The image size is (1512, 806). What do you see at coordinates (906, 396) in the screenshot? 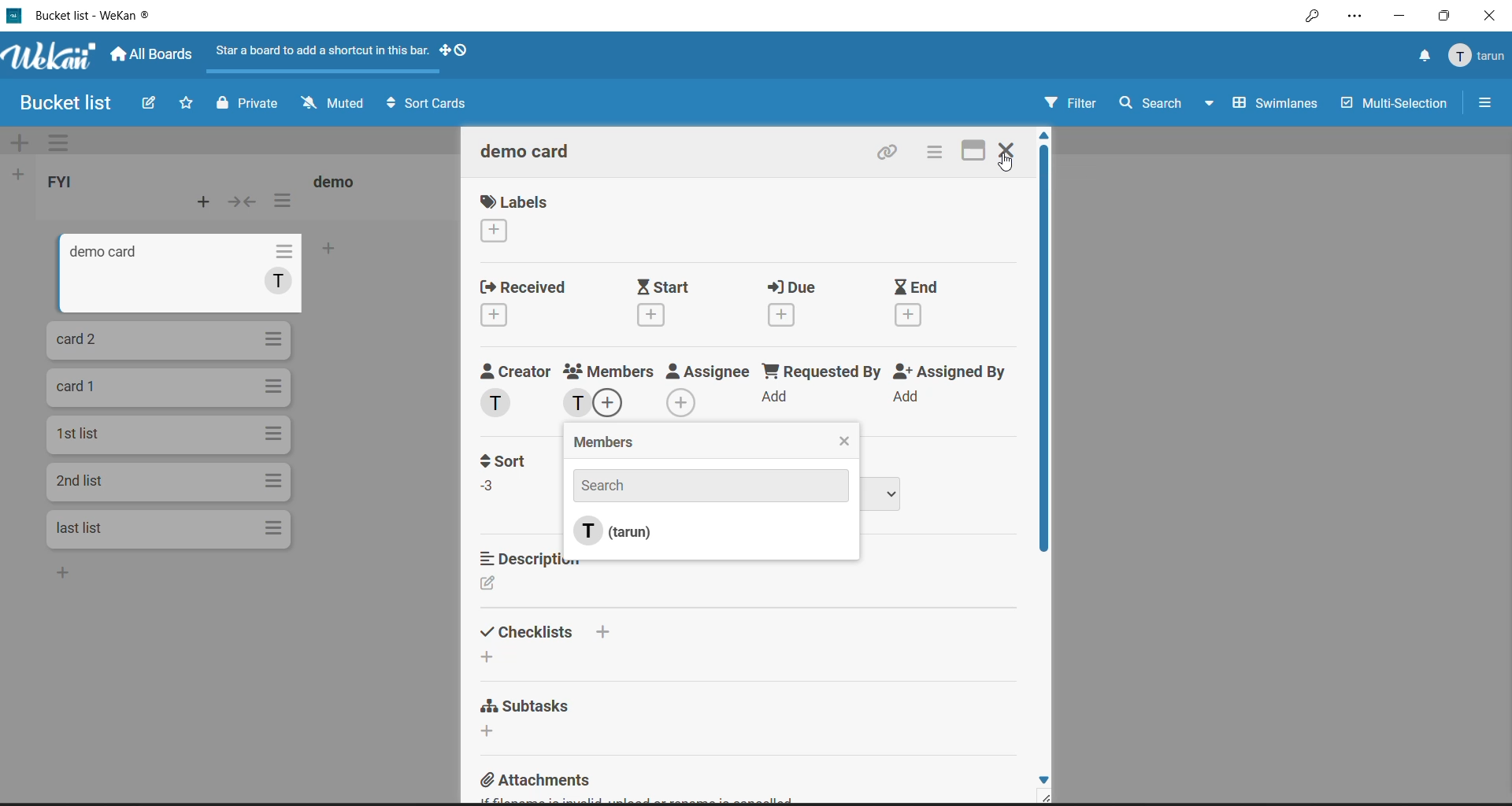
I see `add` at bounding box center [906, 396].